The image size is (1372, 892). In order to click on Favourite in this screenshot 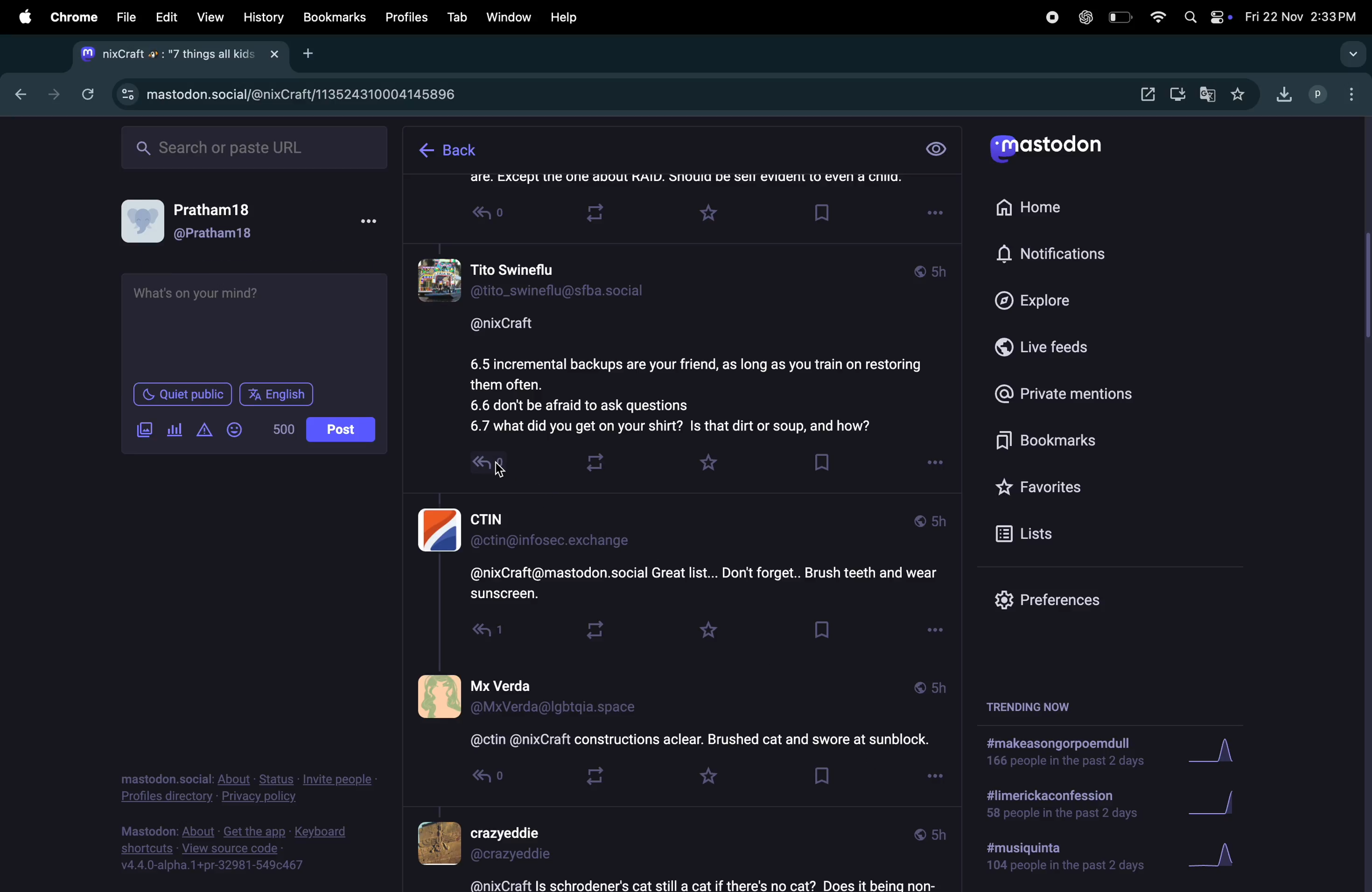, I will do `click(707, 780)`.